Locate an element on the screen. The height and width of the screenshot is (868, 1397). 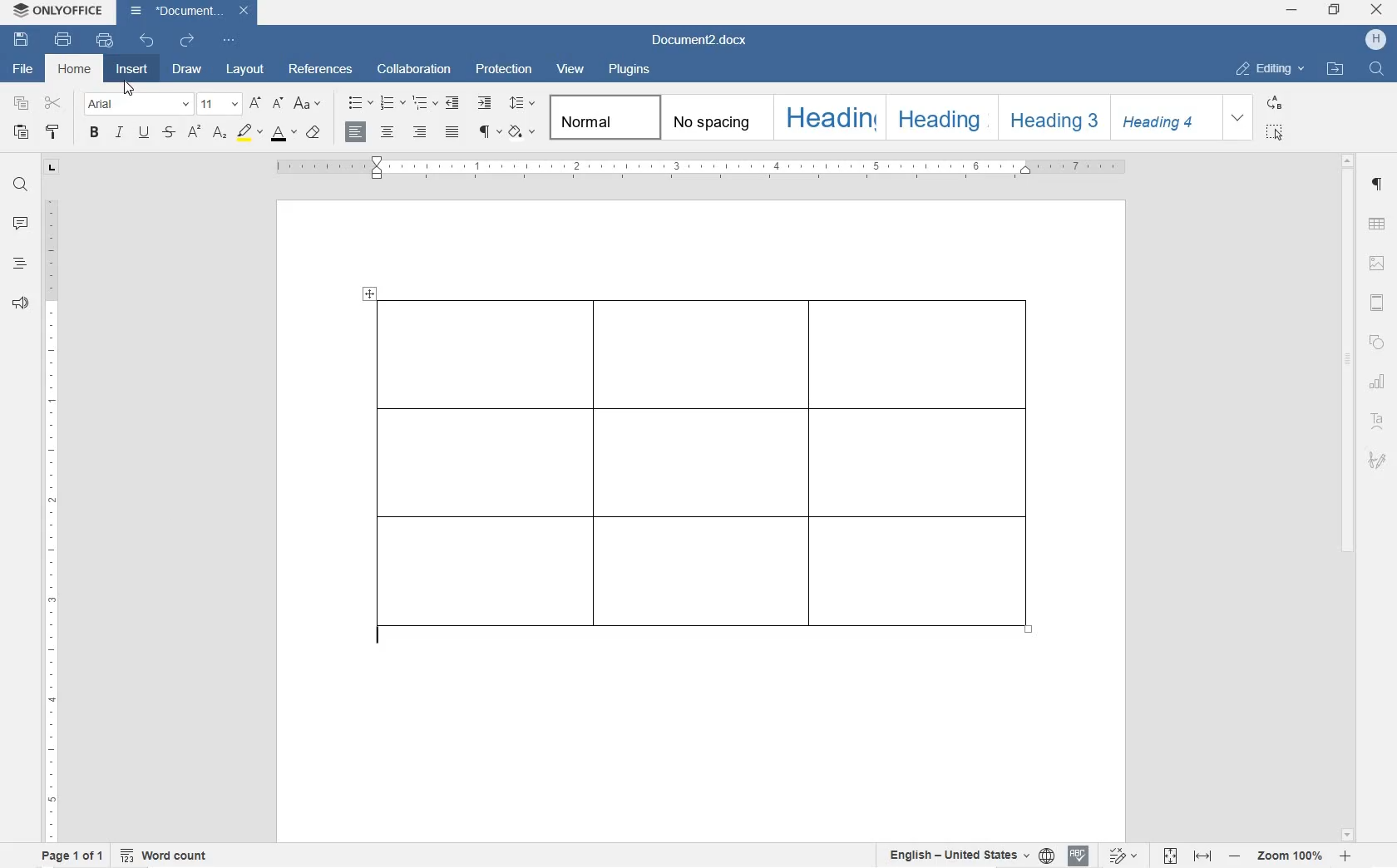
references is located at coordinates (320, 69).